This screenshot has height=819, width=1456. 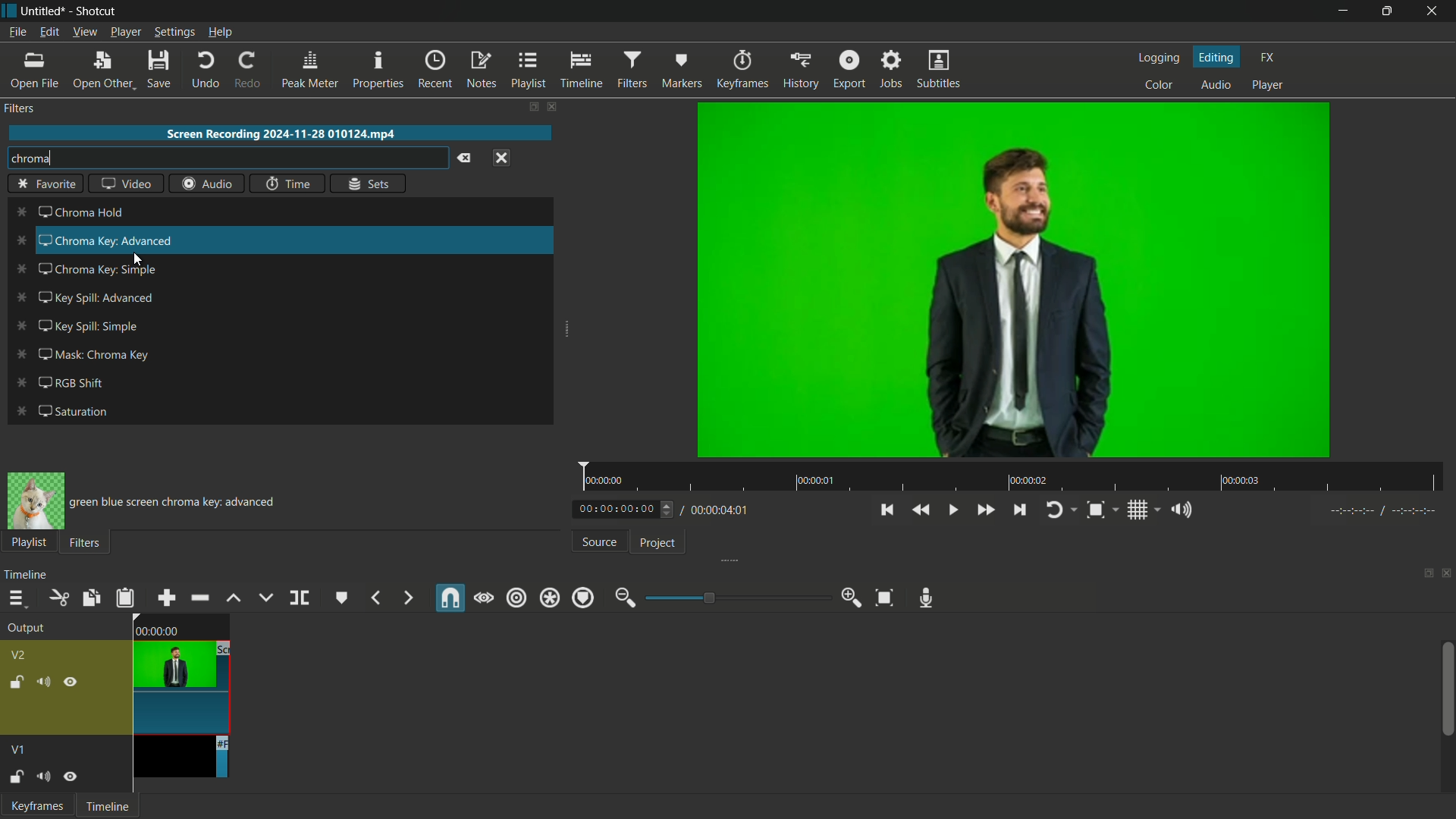 I want to click on cursor, so click(x=137, y=259).